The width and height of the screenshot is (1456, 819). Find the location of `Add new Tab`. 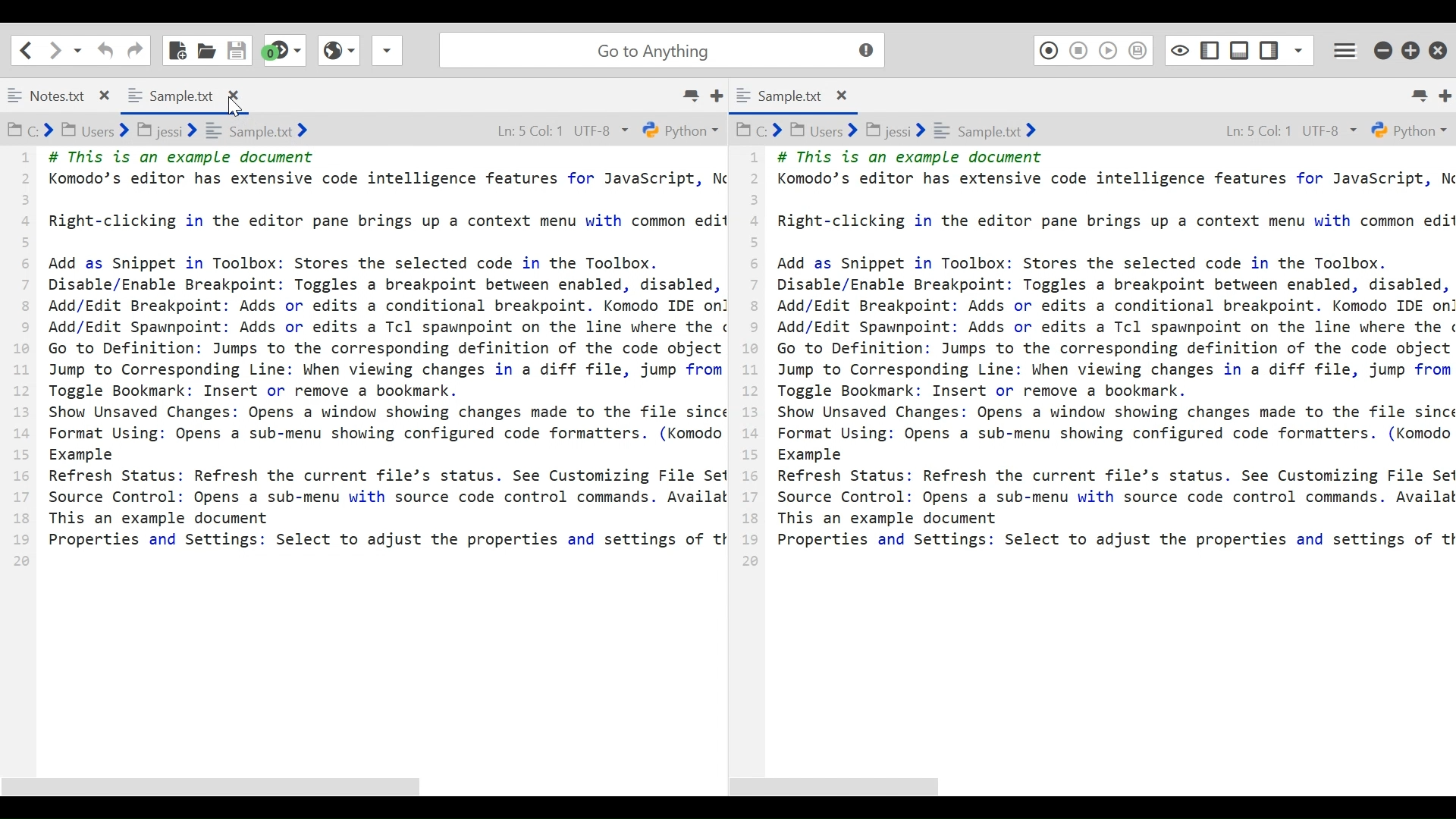

Add new Tab is located at coordinates (1447, 93).